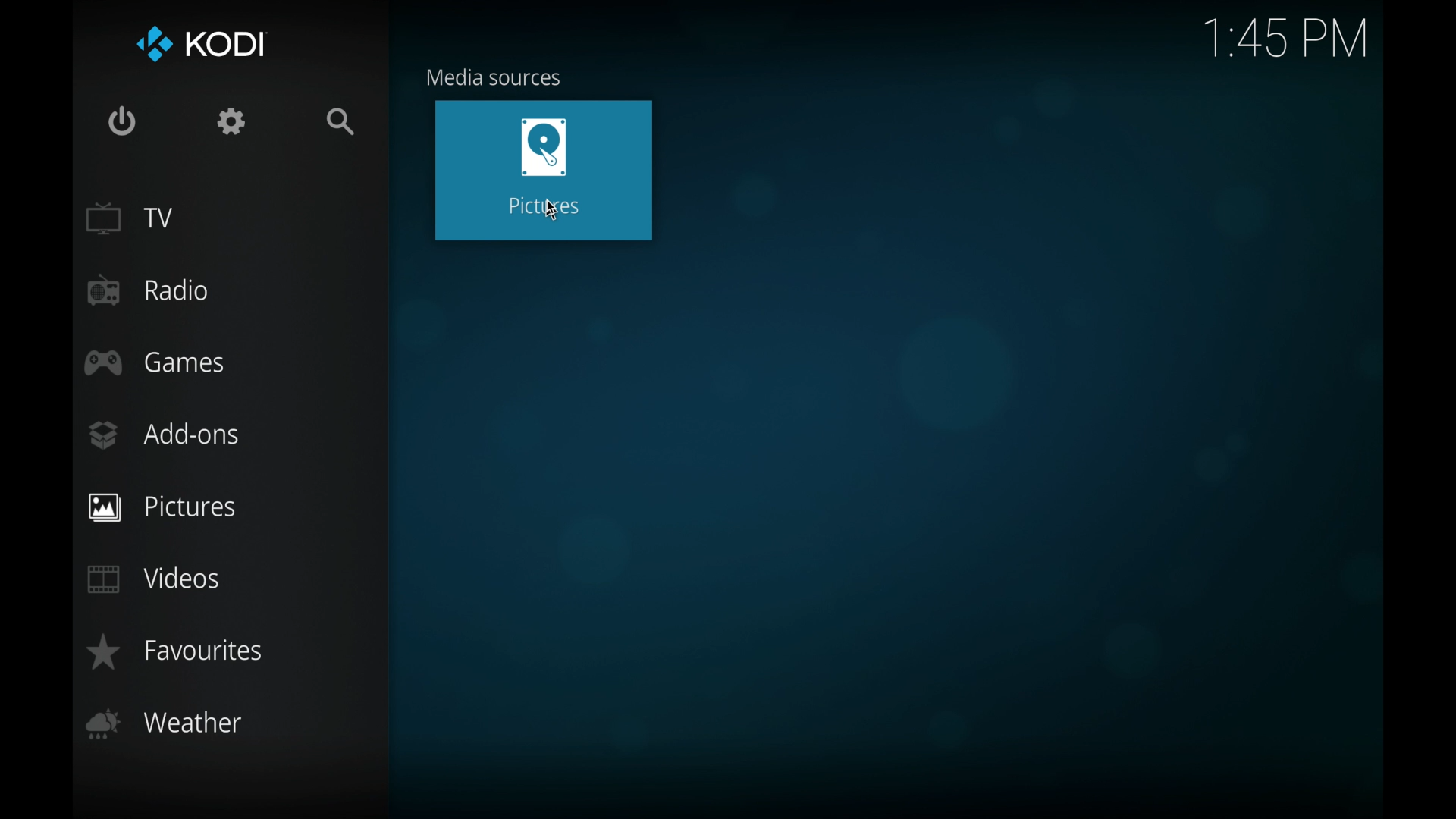 The image size is (1456, 819). What do you see at coordinates (545, 166) in the screenshot?
I see `pictures` at bounding box center [545, 166].